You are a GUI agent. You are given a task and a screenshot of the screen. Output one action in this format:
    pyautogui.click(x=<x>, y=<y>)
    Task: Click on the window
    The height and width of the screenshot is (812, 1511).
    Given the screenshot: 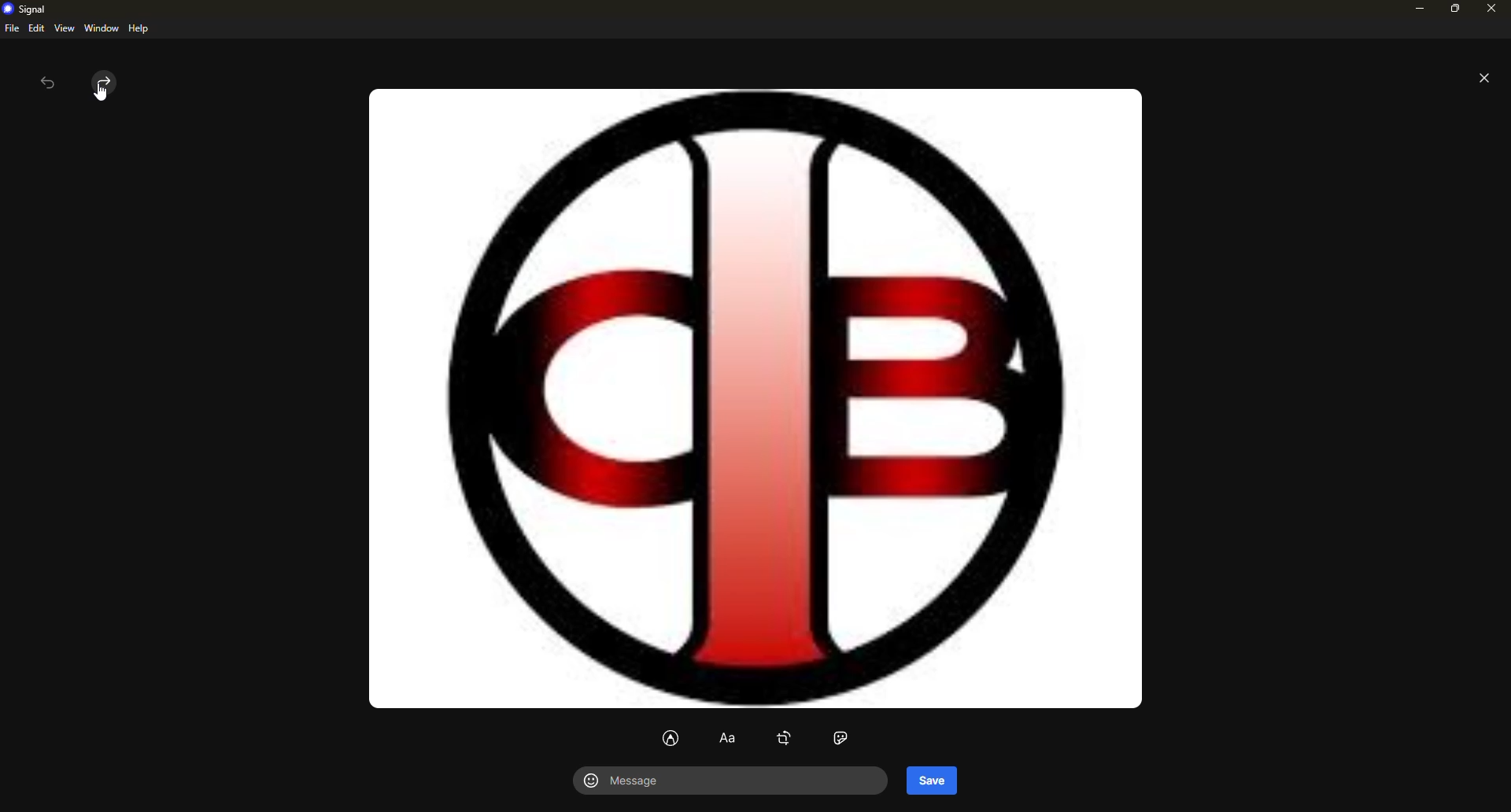 What is the action you would take?
    pyautogui.click(x=102, y=28)
    